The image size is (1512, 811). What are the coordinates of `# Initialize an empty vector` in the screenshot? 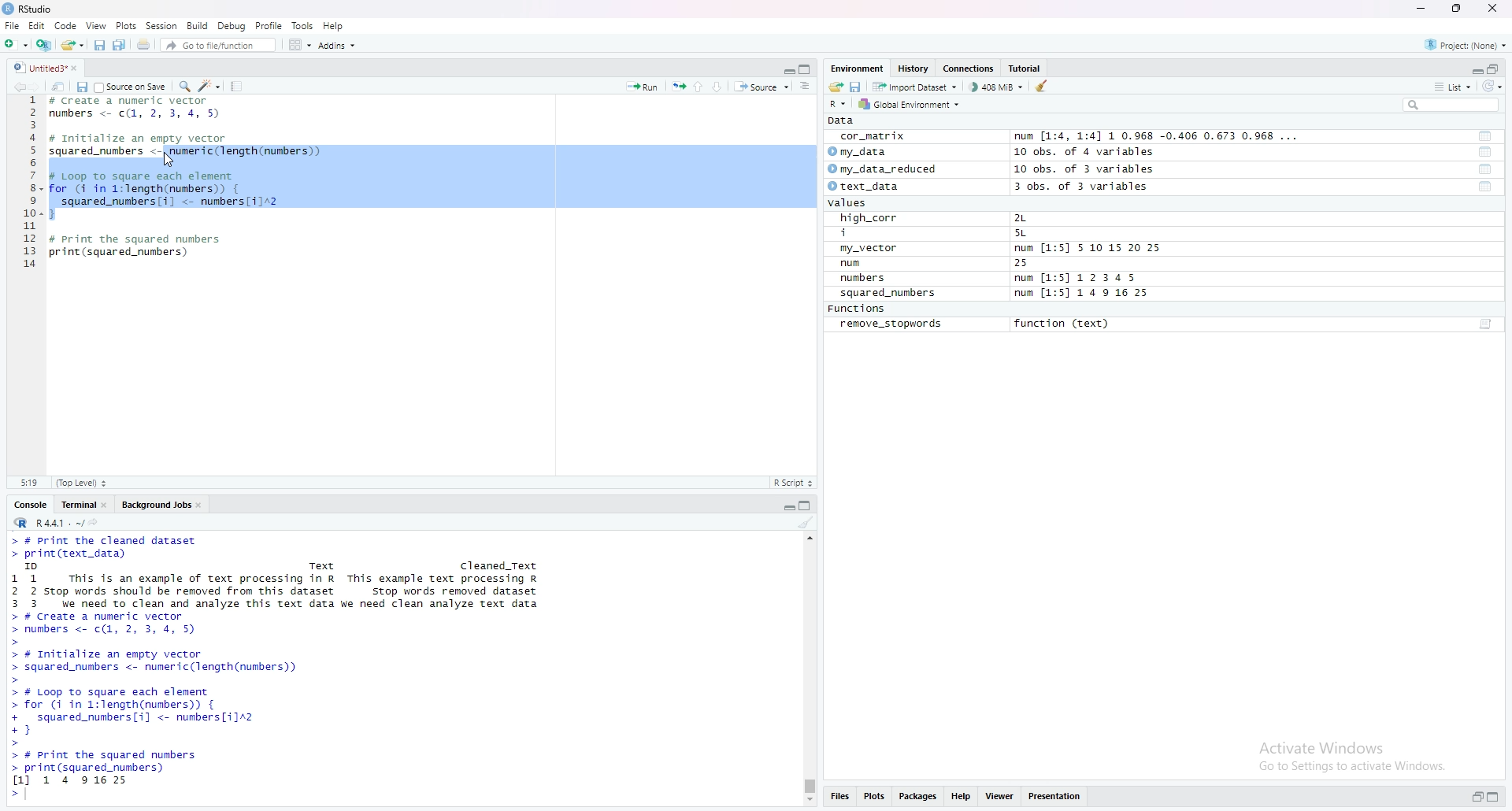 It's located at (143, 139).